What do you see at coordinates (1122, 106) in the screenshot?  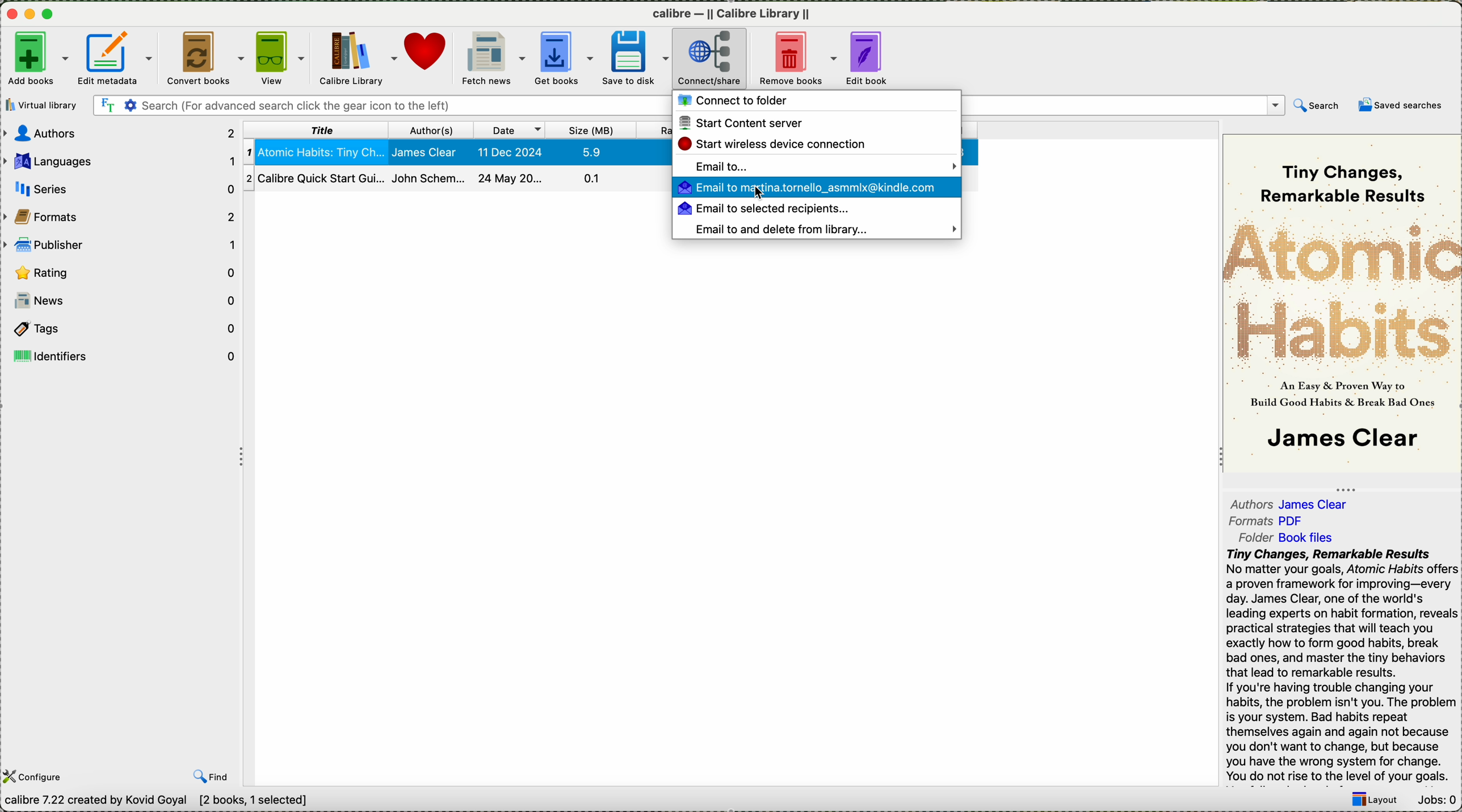 I see `search bar` at bounding box center [1122, 106].